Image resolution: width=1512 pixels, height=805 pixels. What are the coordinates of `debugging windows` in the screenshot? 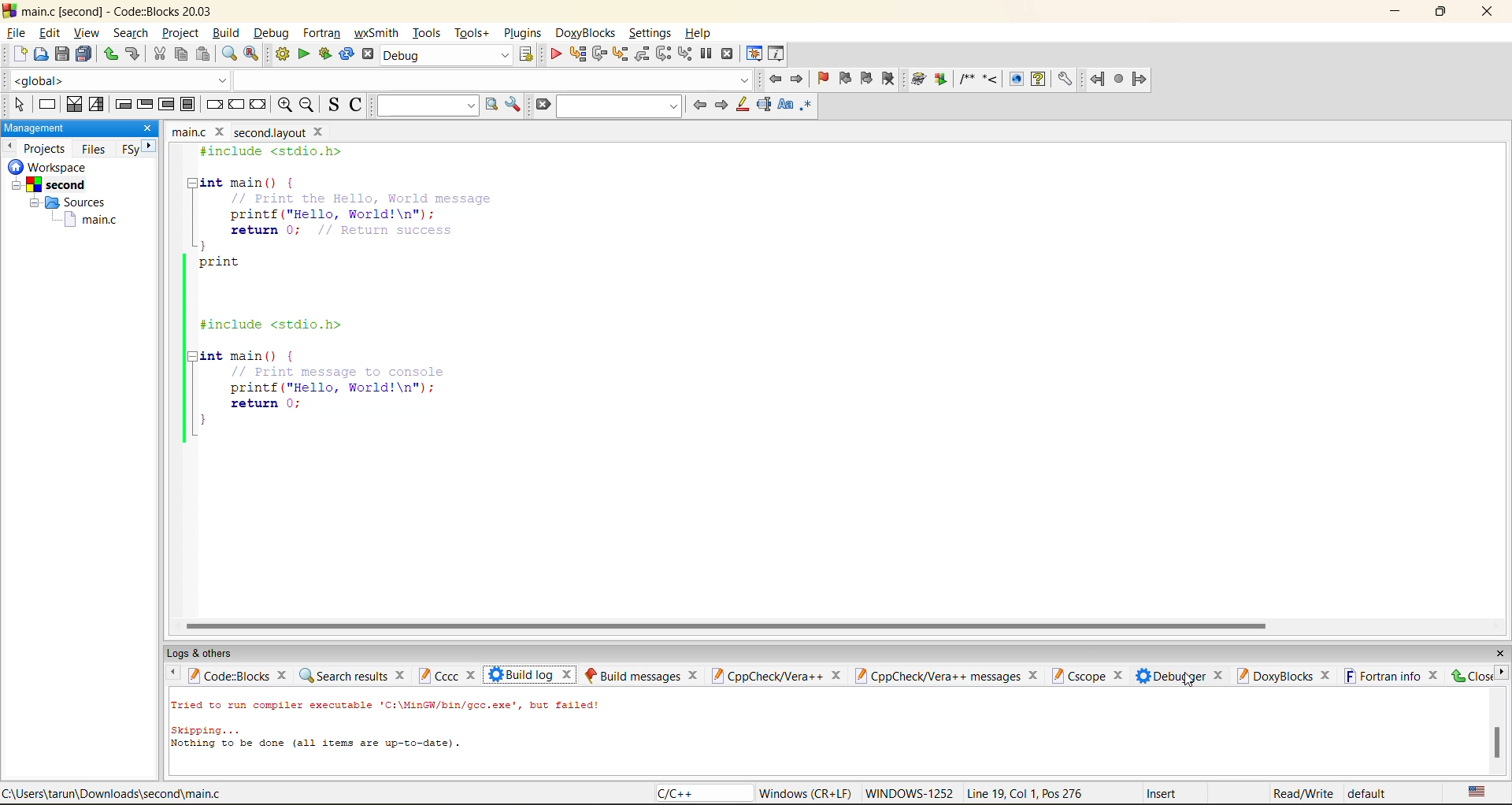 It's located at (756, 53).